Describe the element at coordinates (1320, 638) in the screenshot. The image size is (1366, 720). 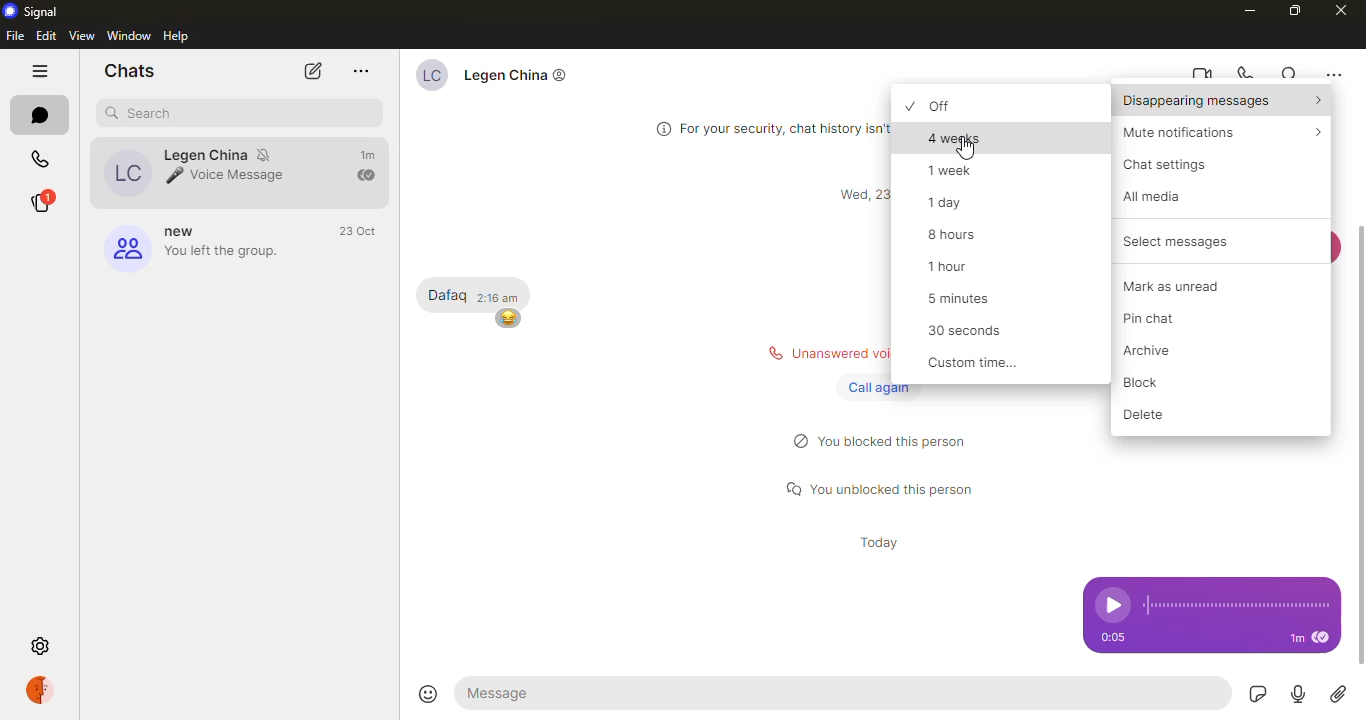
I see `seen` at that location.